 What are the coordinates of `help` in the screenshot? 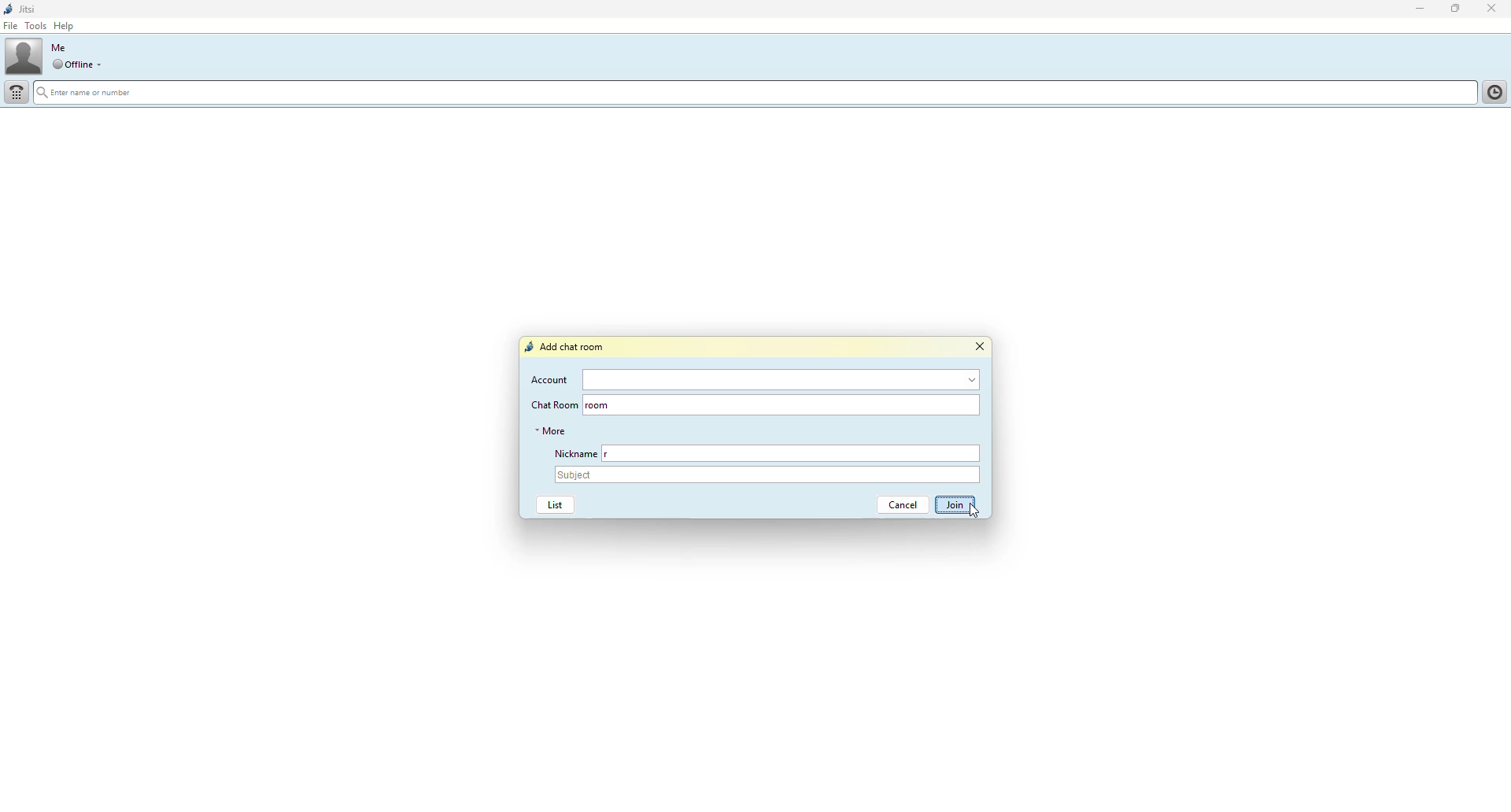 It's located at (67, 26).